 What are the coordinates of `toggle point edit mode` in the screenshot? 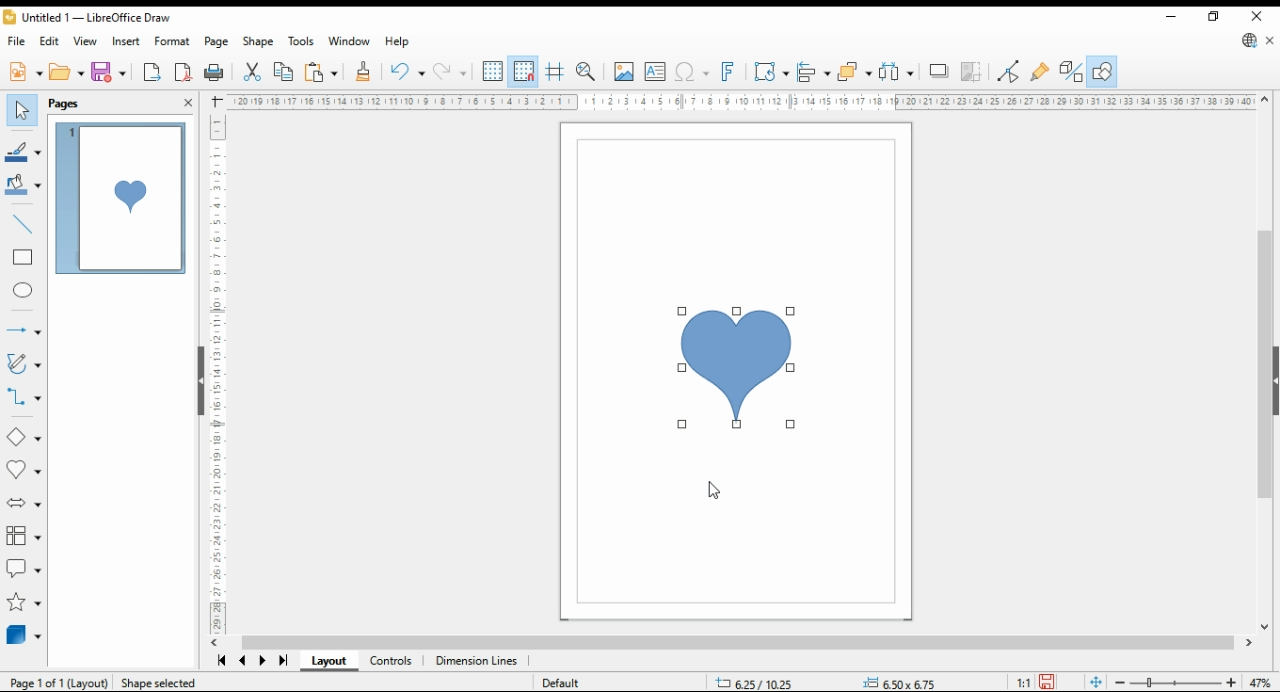 It's located at (1010, 73).